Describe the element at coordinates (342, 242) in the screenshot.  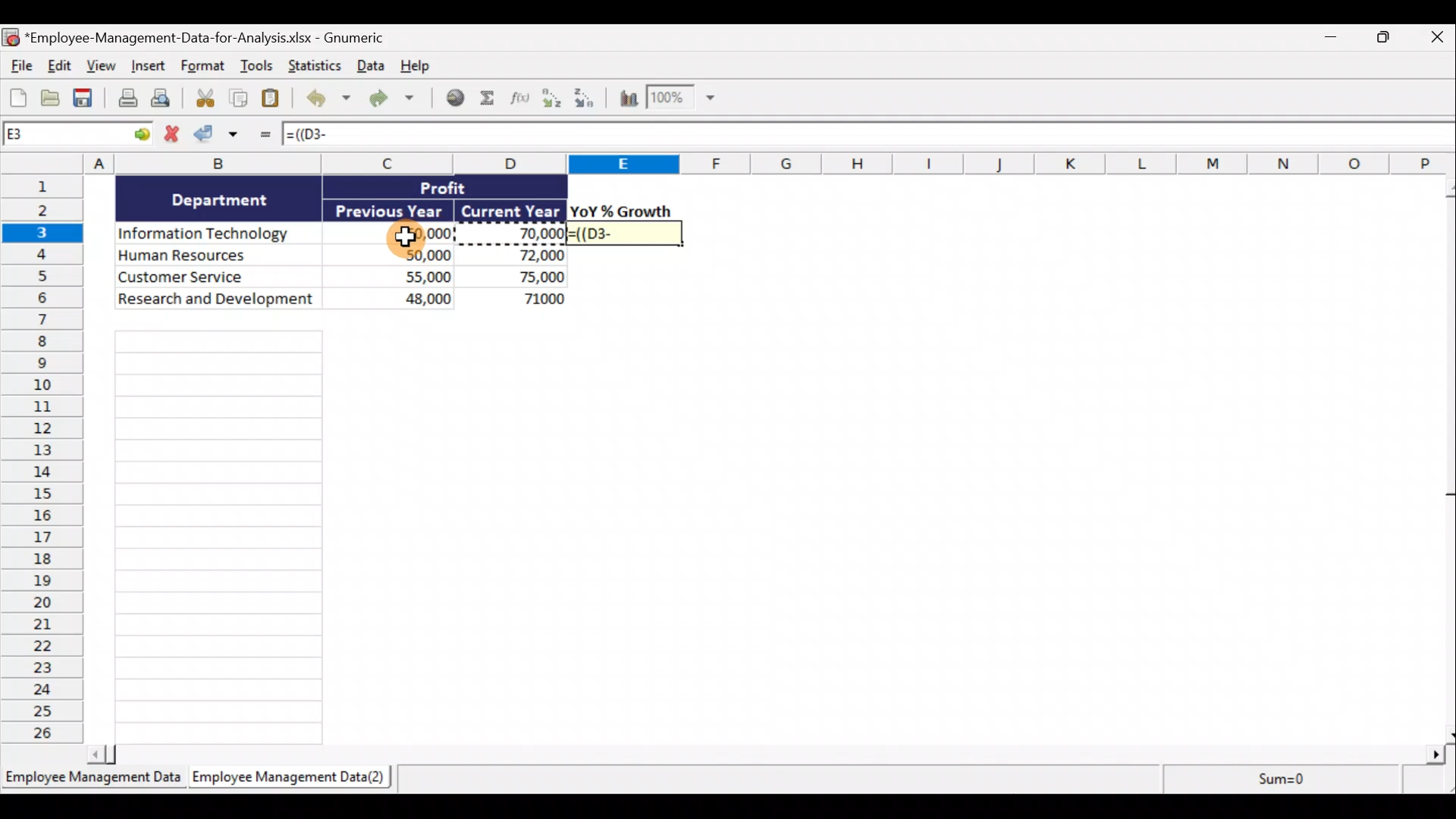
I see `Data` at that location.